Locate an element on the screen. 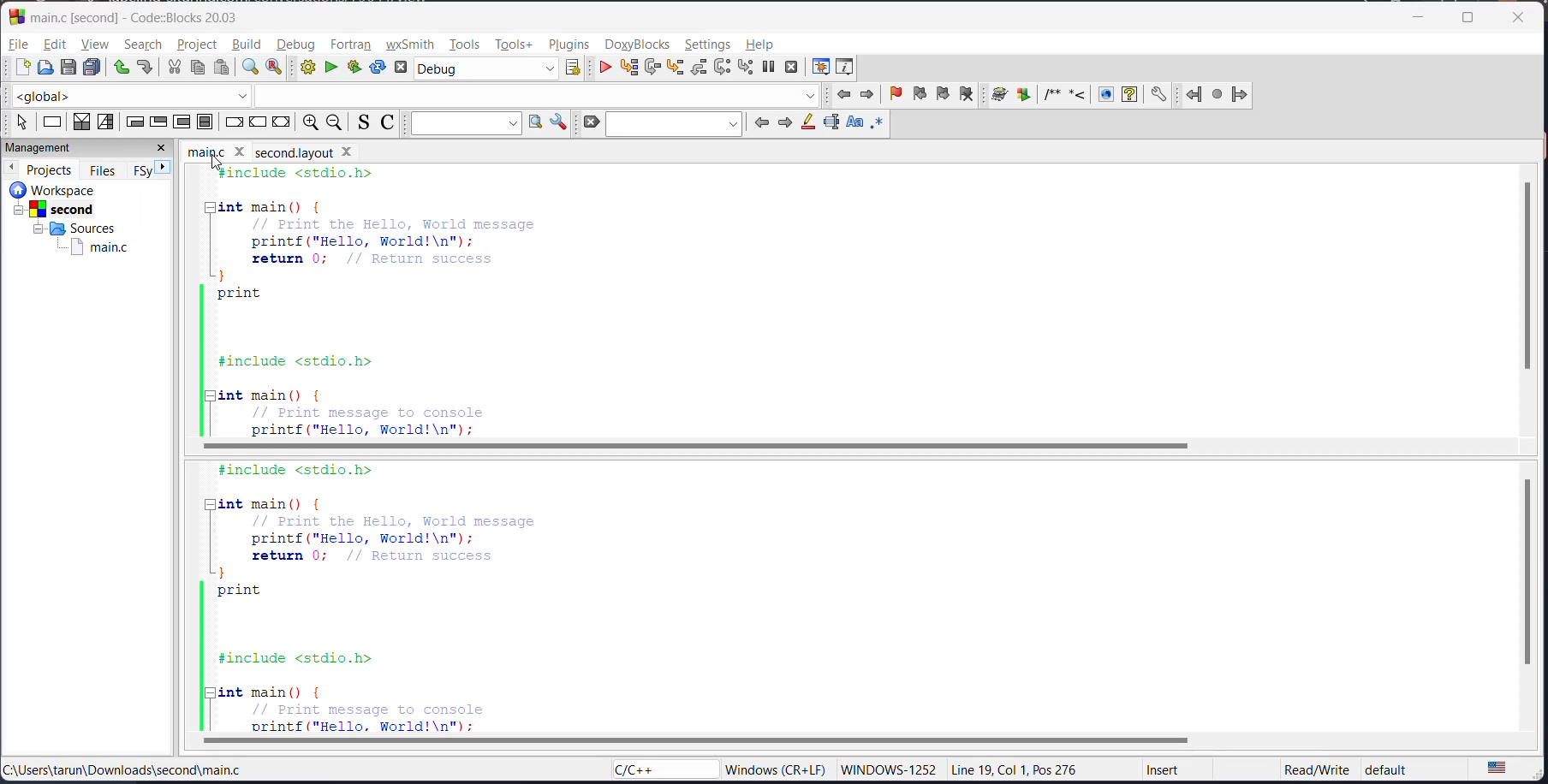  various info is located at coordinates (846, 68).